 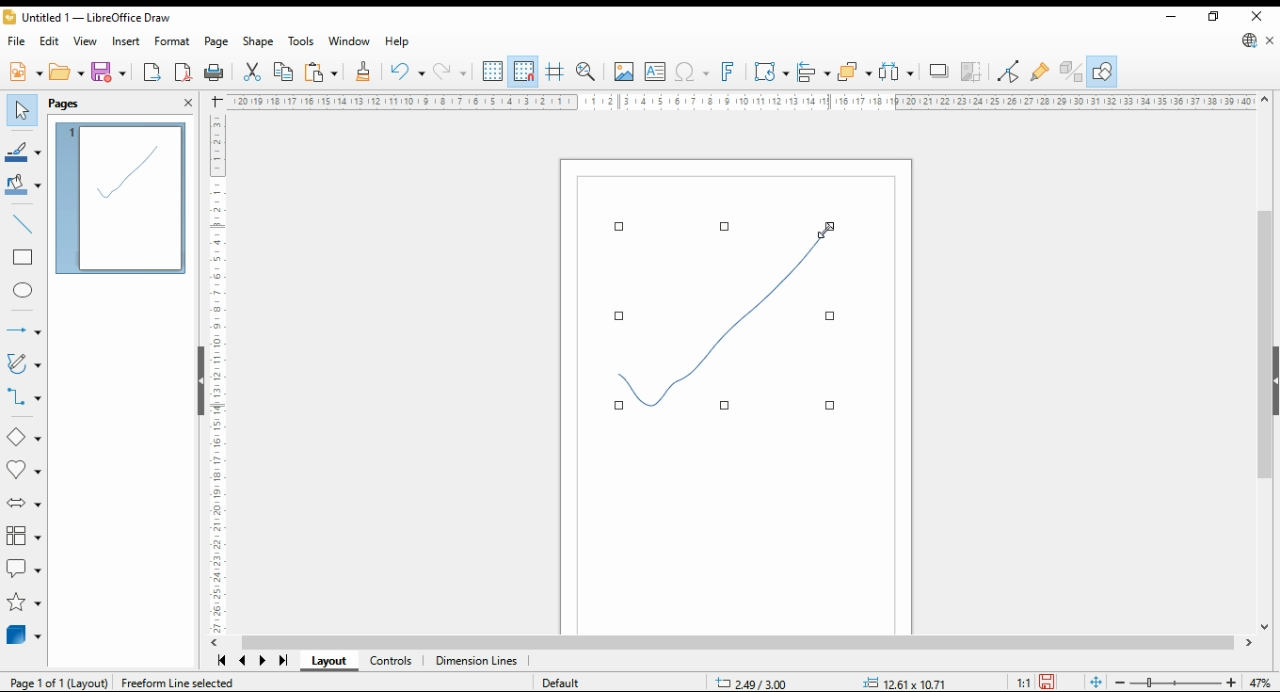 I want to click on select, so click(x=22, y=111).